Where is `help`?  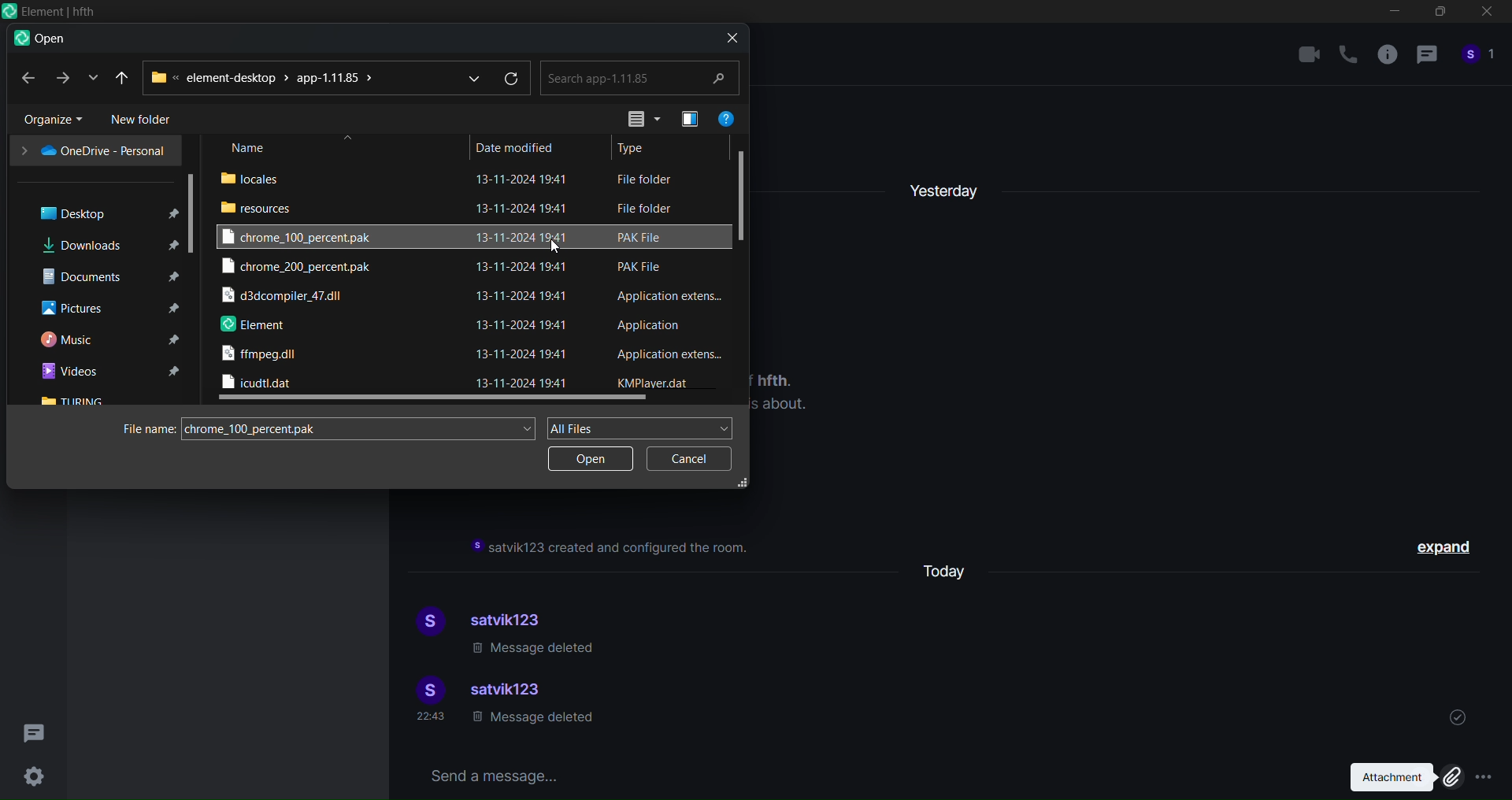 help is located at coordinates (727, 116).